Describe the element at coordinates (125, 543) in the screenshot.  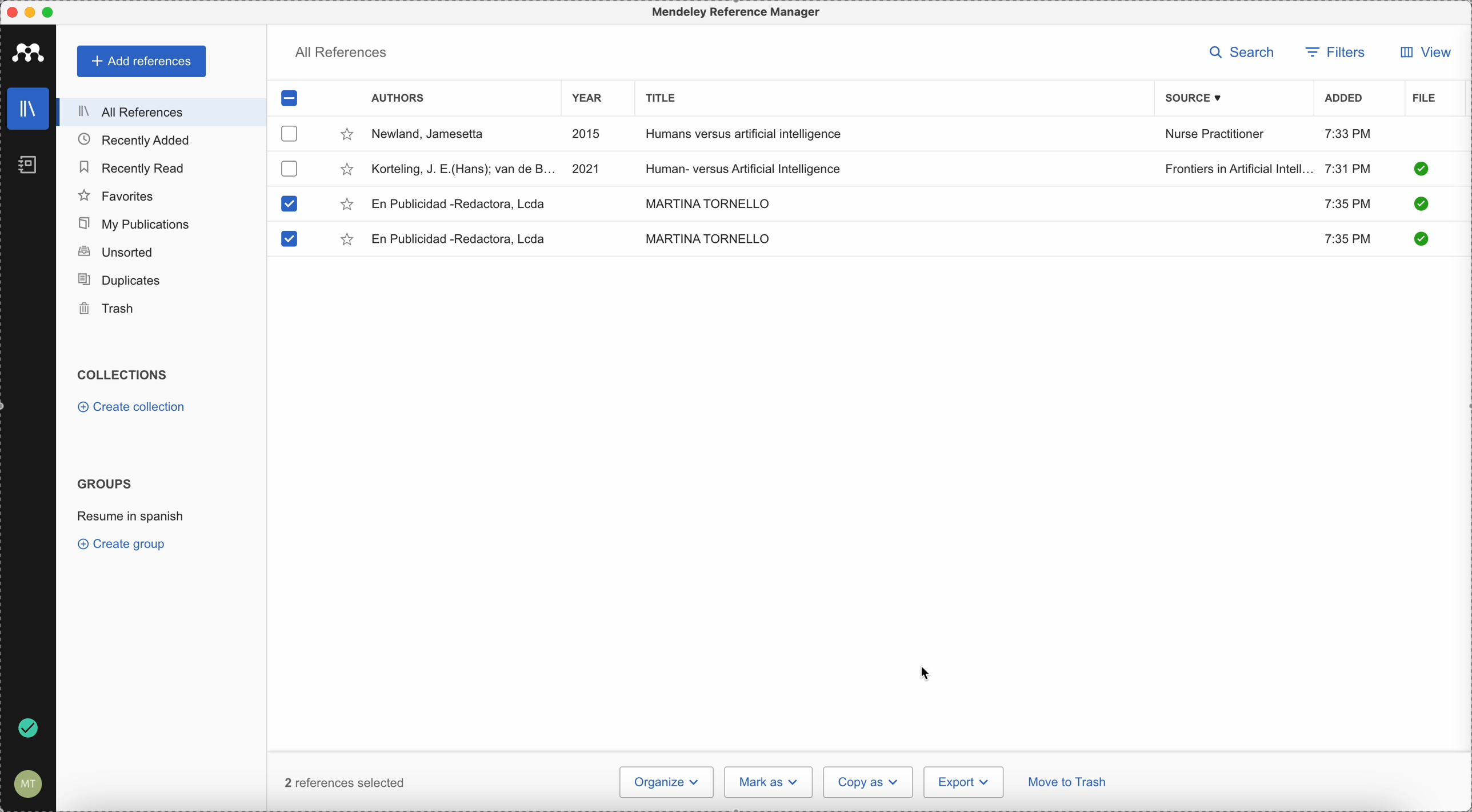
I see `create group` at that location.